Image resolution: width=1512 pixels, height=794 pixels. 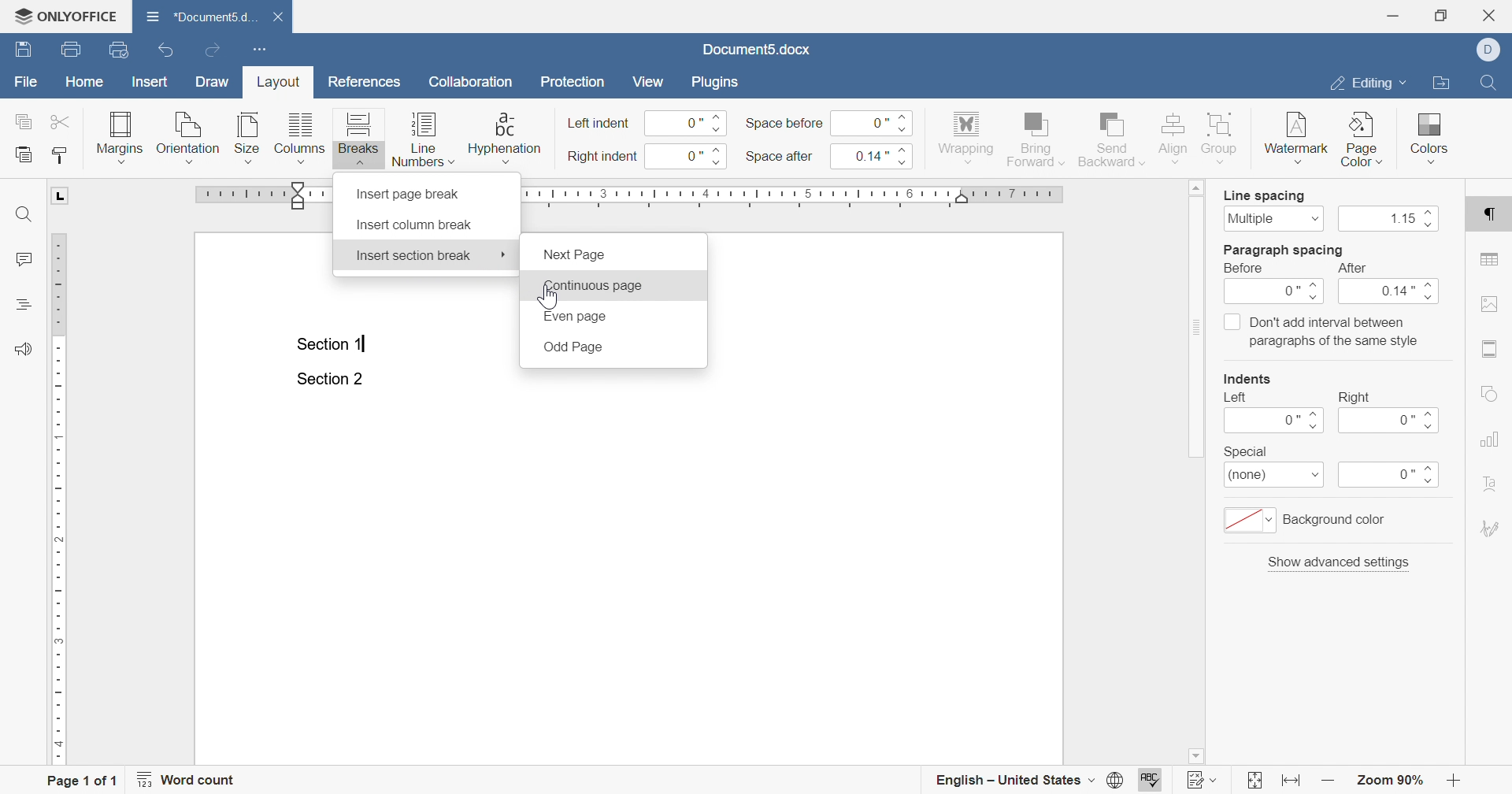 I want to click on english - united states, so click(x=1028, y=781).